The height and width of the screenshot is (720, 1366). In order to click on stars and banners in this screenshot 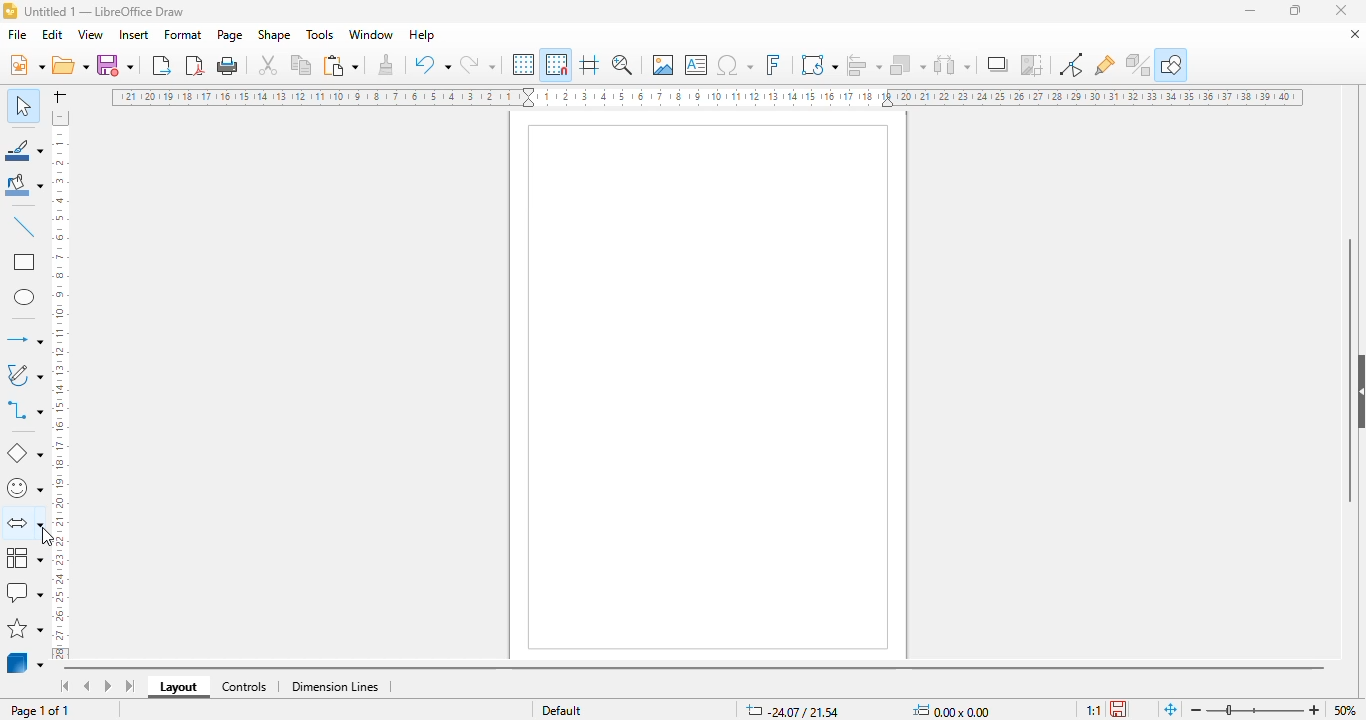, I will do `click(25, 628)`.